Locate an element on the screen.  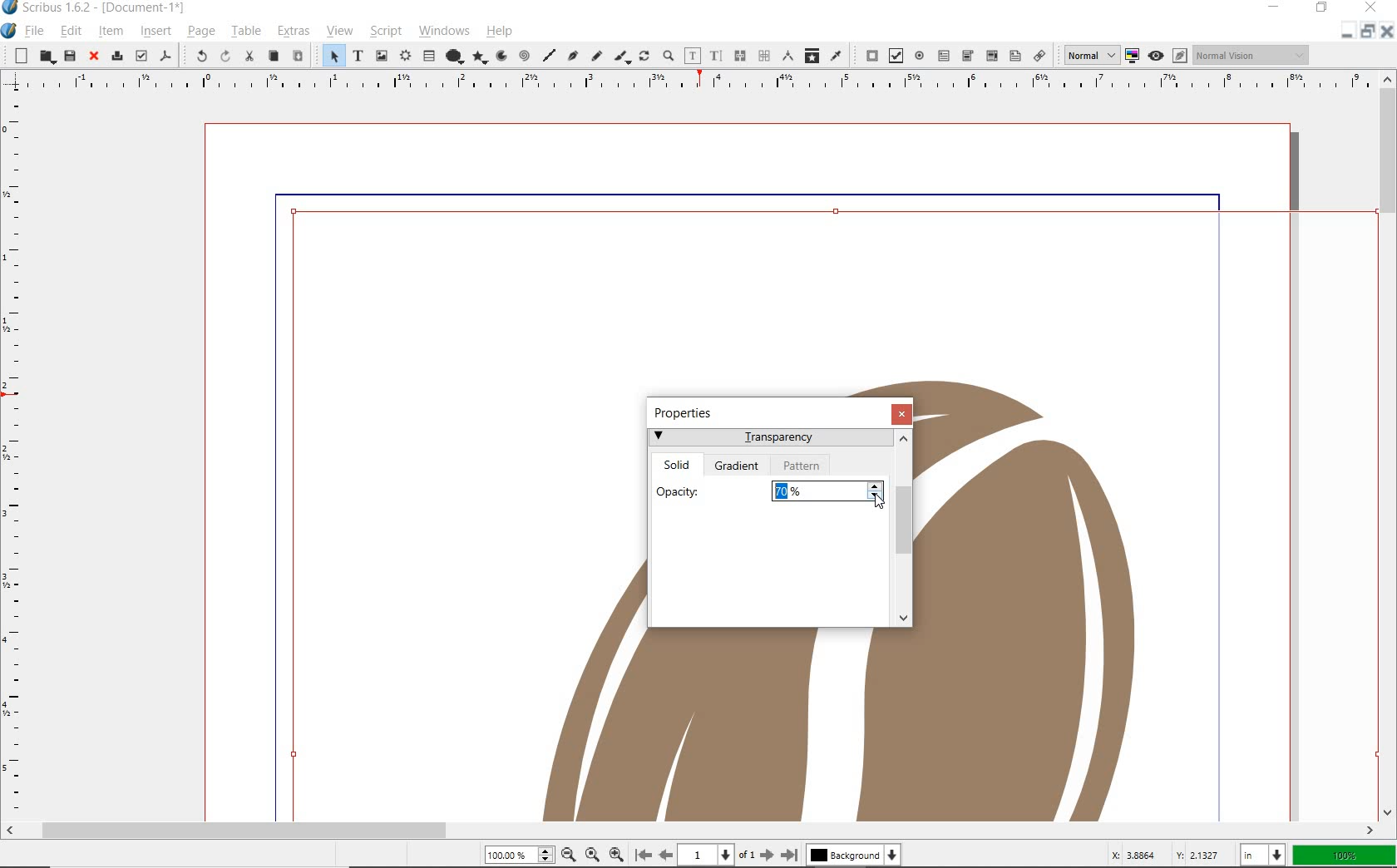
close is located at coordinates (93, 57).